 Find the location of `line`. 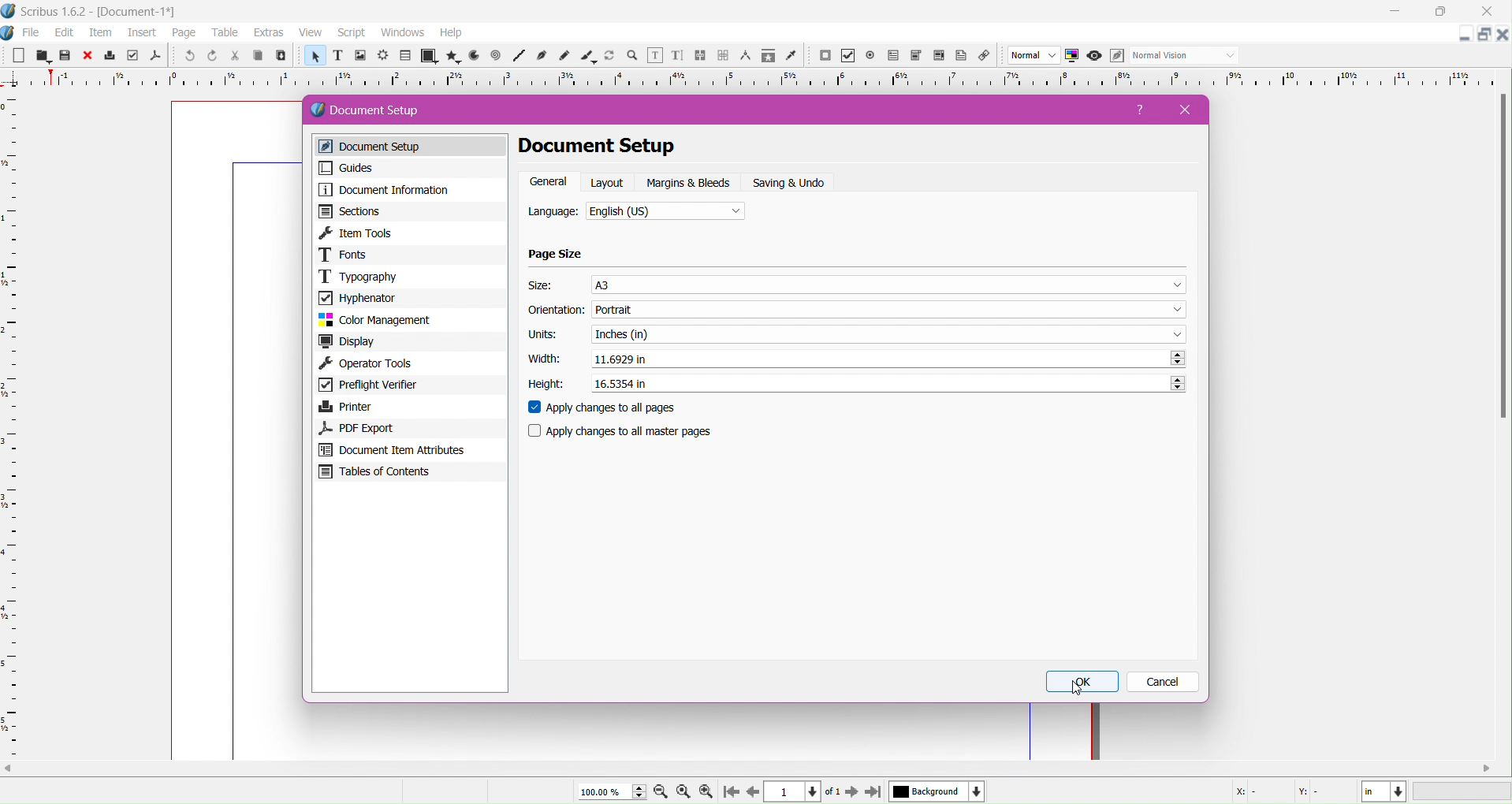

line is located at coordinates (519, 57).